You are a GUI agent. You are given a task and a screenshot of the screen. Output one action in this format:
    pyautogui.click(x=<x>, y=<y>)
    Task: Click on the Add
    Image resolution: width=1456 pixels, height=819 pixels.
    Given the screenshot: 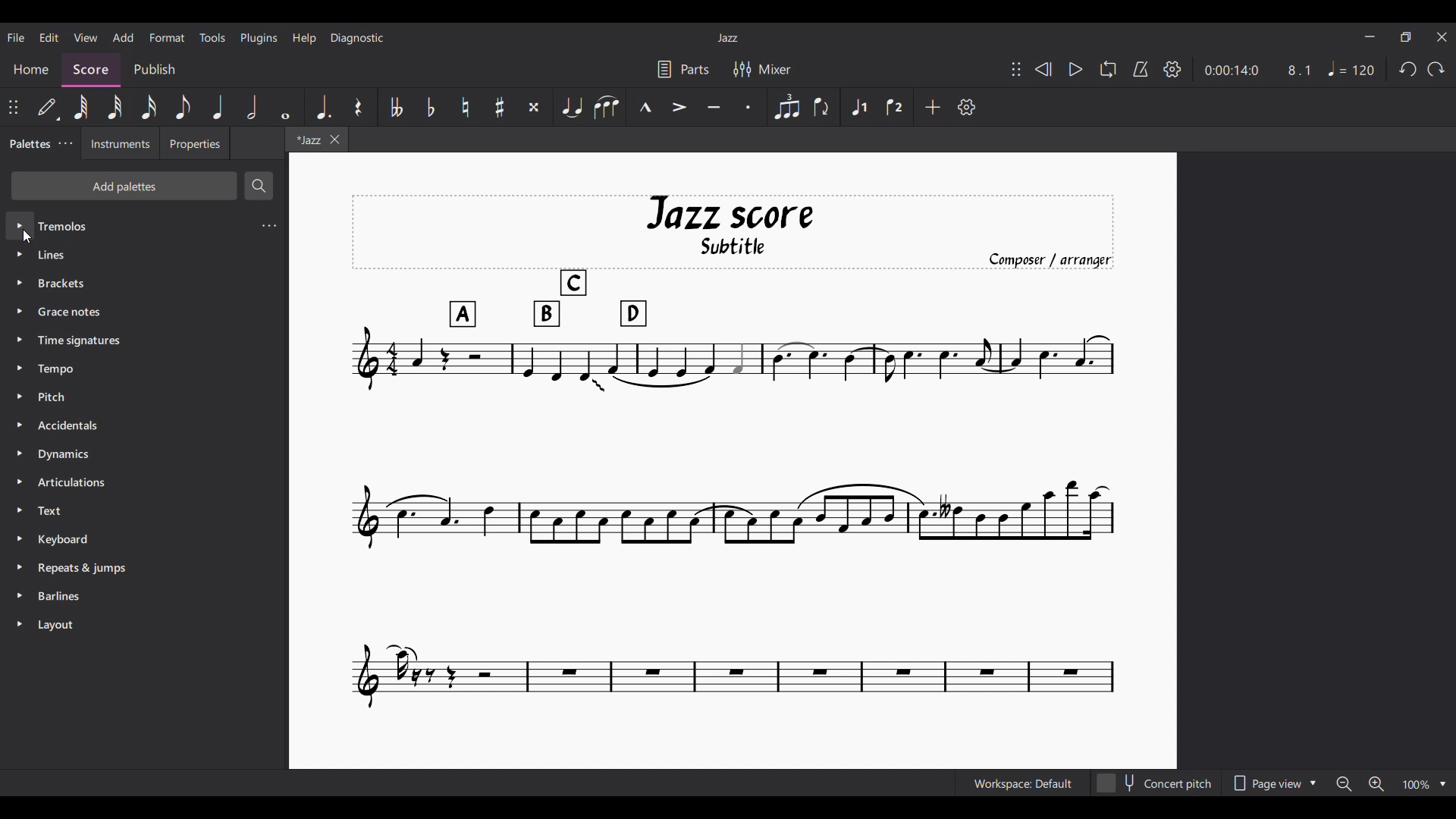 What is the action you would take?
    pyautogui.click(x=934, y=107)
    